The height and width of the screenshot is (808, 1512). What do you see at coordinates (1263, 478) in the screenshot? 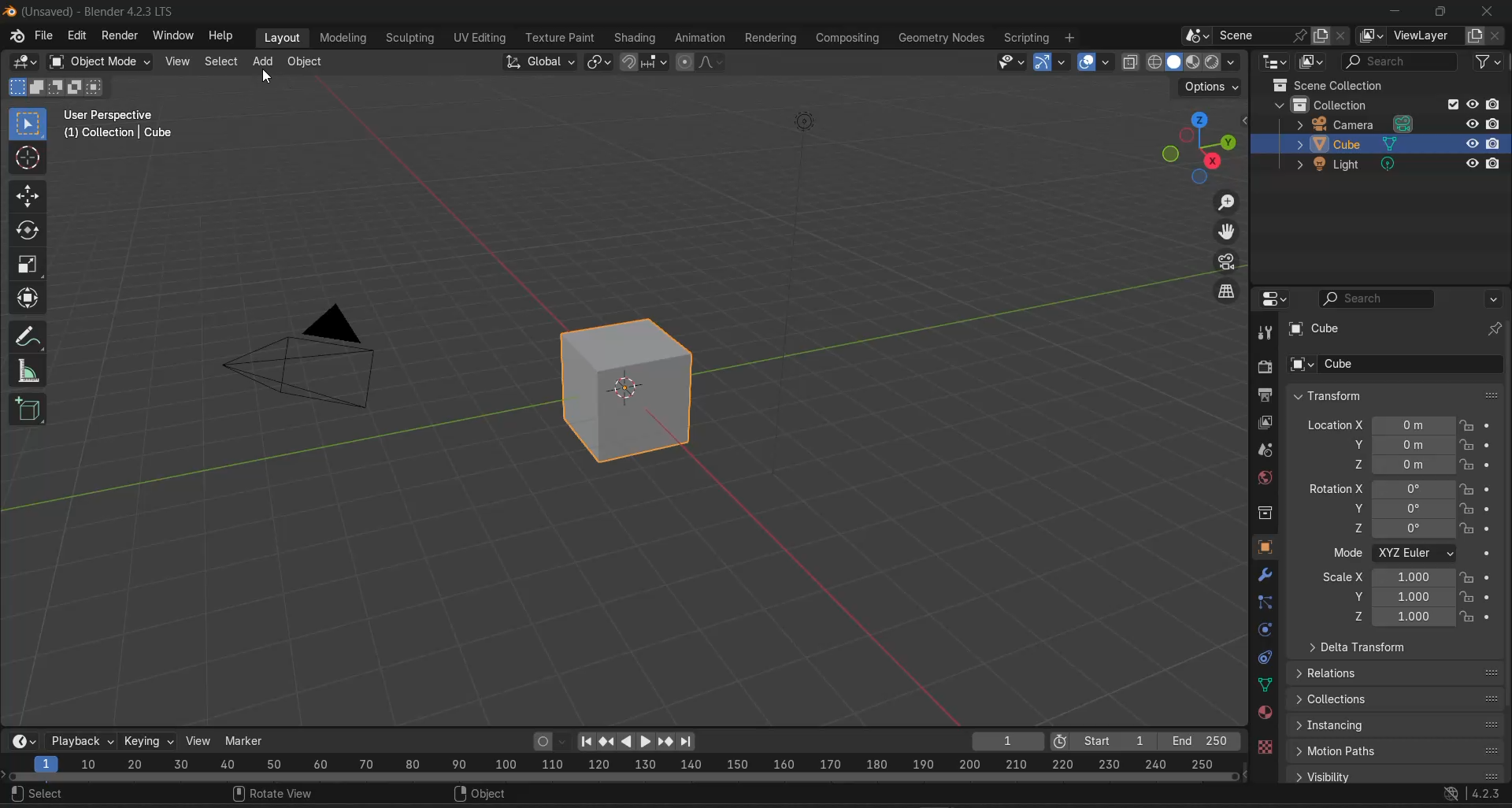
I see `world` at bounding box center [1263, 478].